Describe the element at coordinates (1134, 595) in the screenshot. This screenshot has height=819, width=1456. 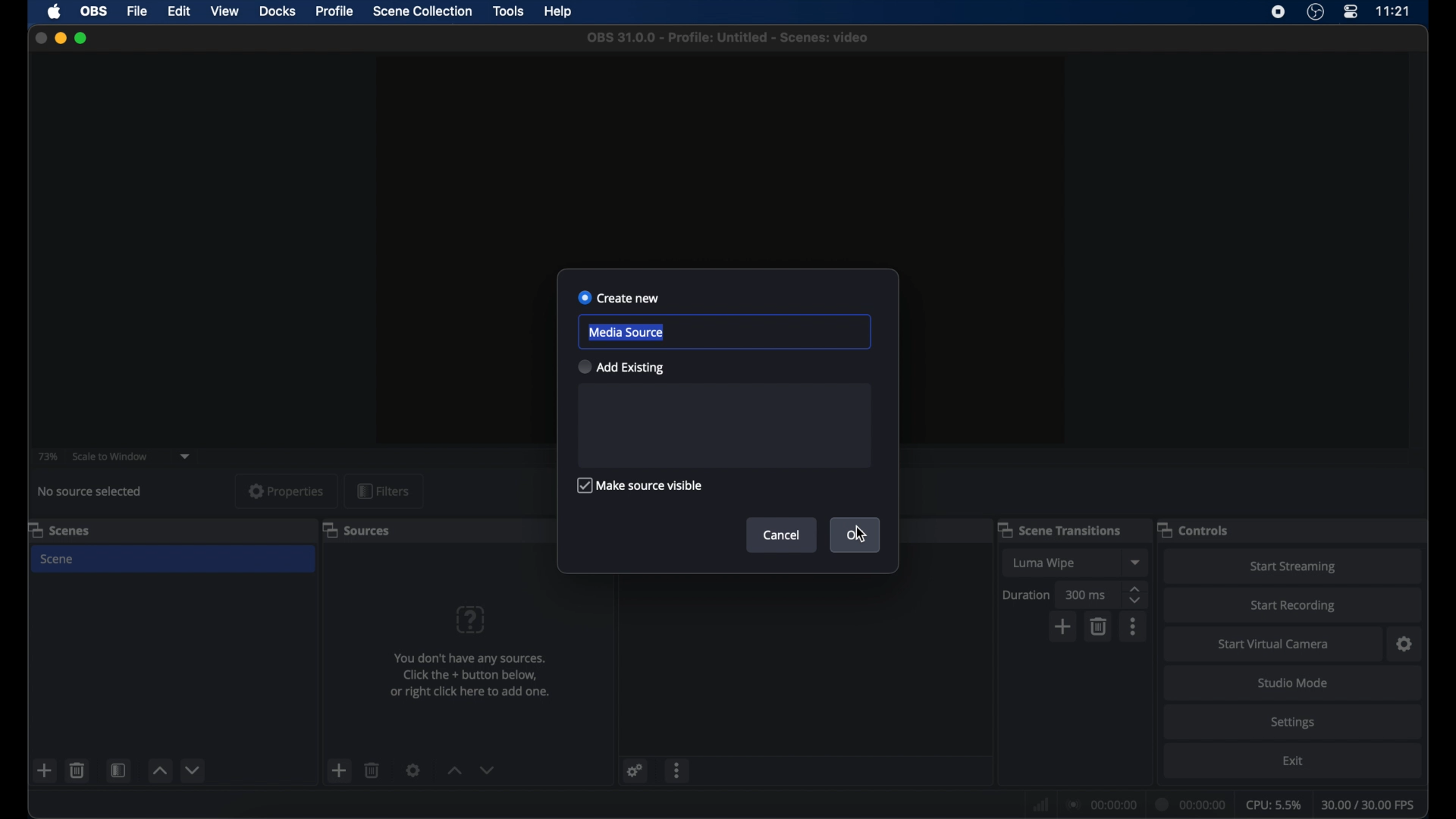
I see `stepper buttons` at that location.